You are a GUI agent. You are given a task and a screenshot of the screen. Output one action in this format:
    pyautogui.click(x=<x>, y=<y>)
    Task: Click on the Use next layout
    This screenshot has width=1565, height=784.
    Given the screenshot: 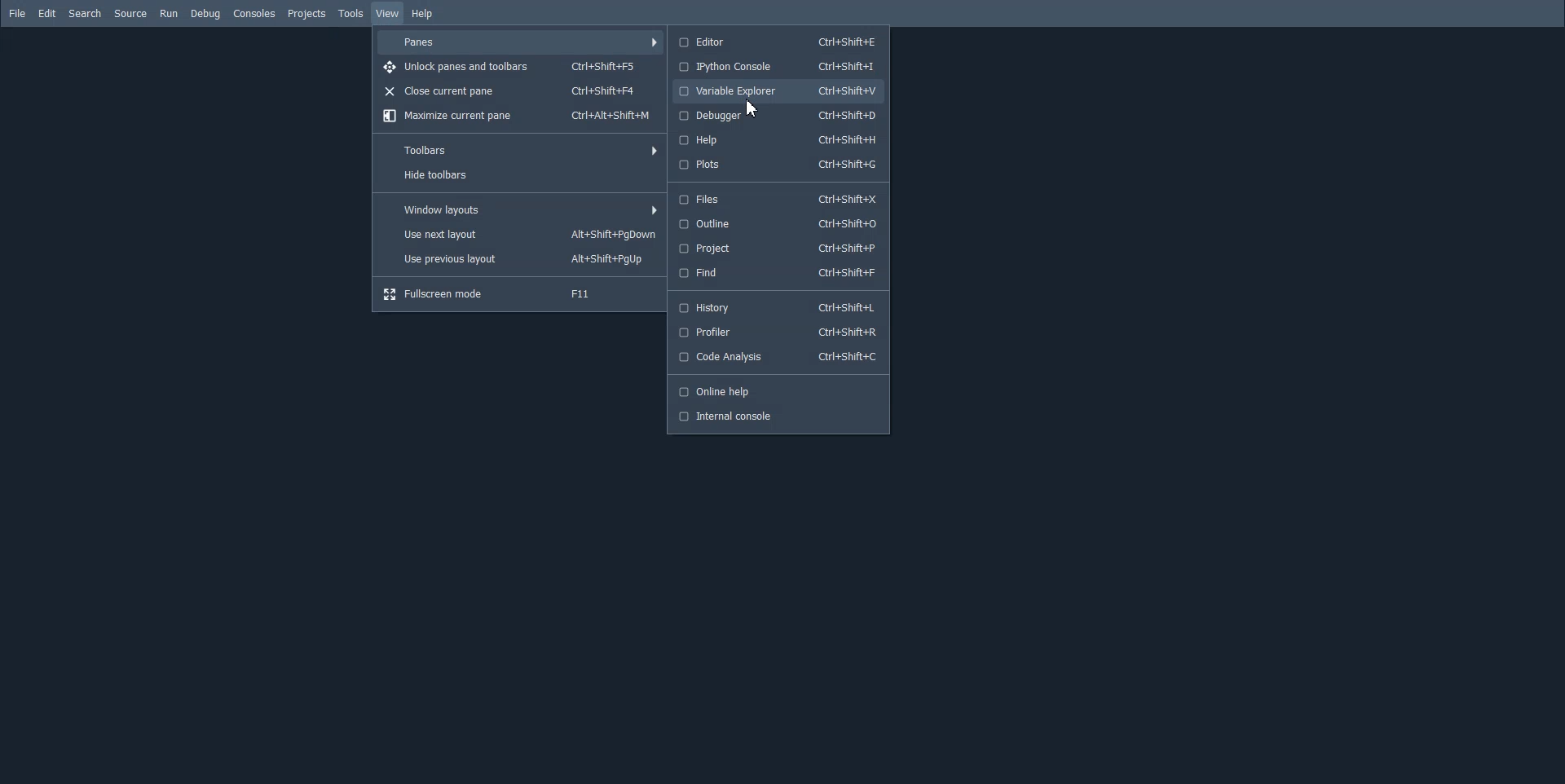 What is the action you would take?
    pyautogui.click(x=521, y=234)
    